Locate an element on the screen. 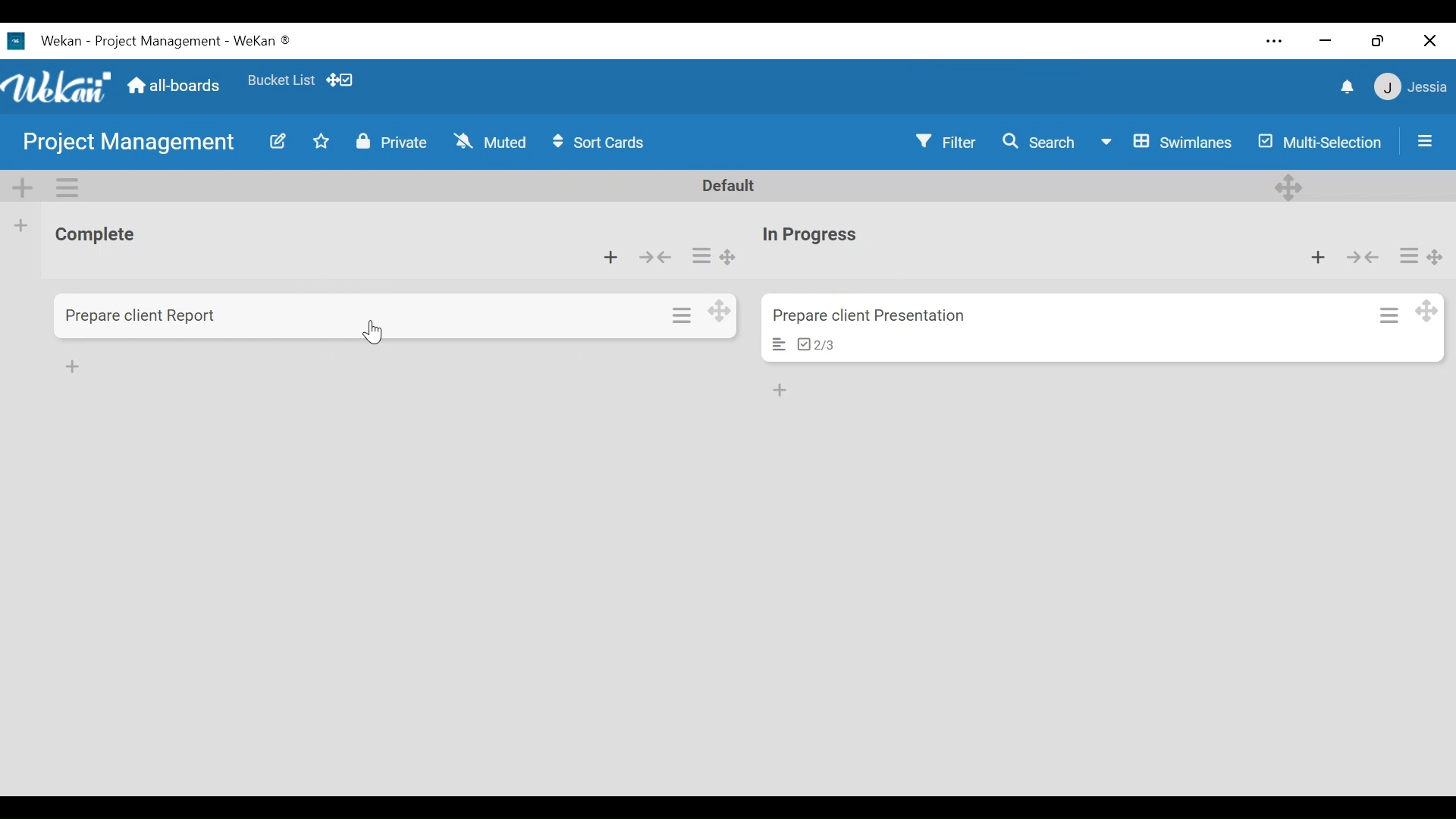 This screenshot has width=1456, height=819. Desktop drag handle is located at coordinates (1288, 187).